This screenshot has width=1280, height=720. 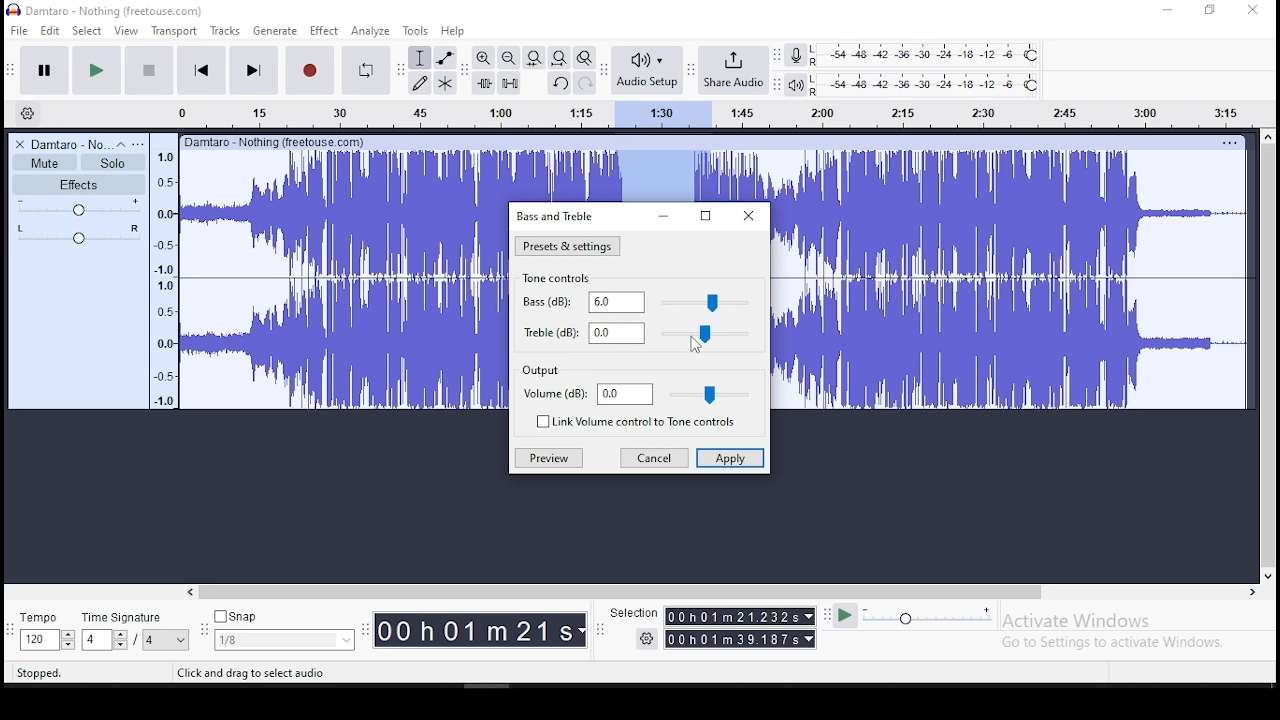 What do you see at coordinates (21, 144) in the screenshot?
I see `delete track` at bounding box center [21, 144].